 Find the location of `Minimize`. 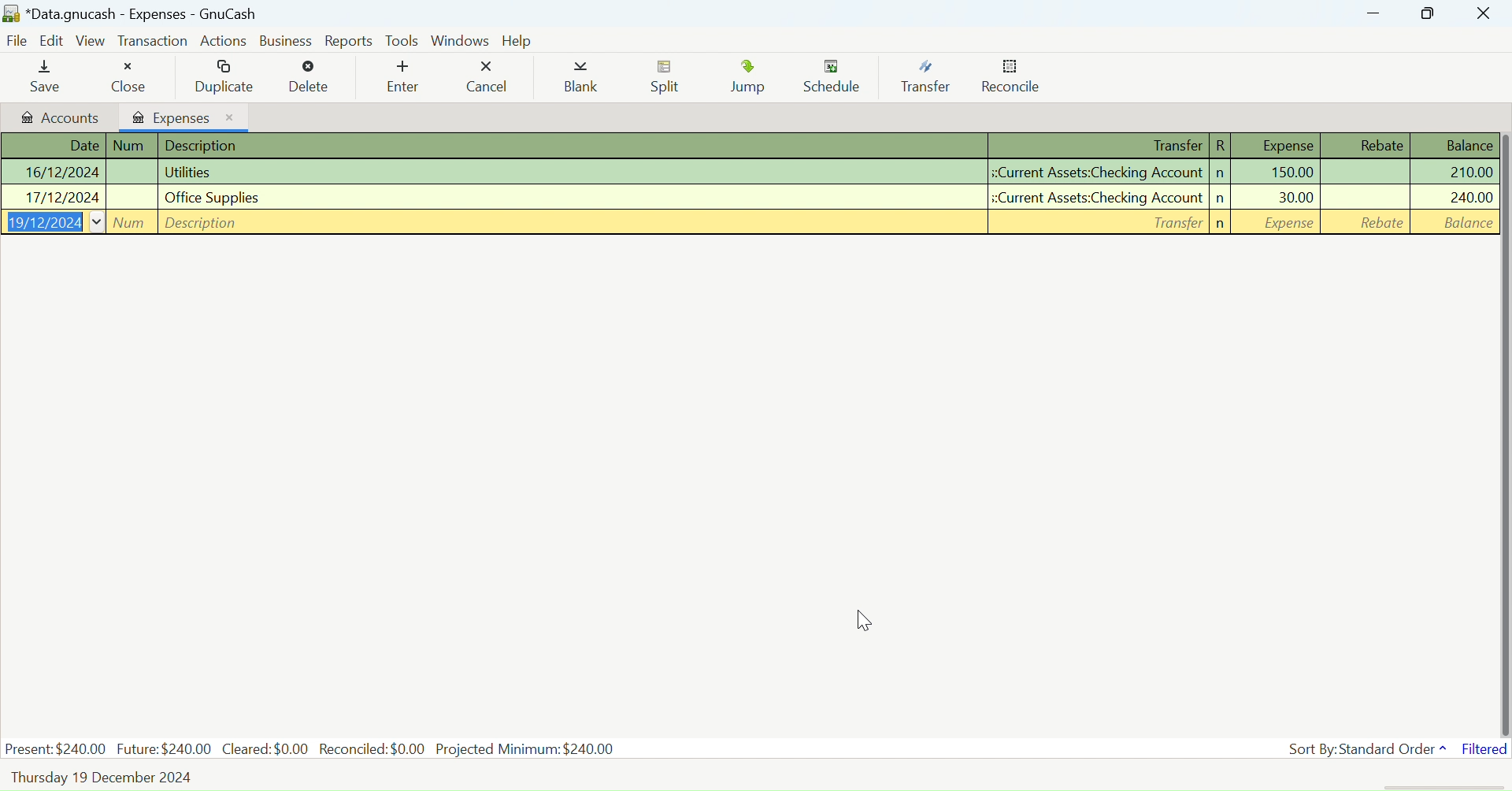

Minimize is located at coordinates (1429, 13).